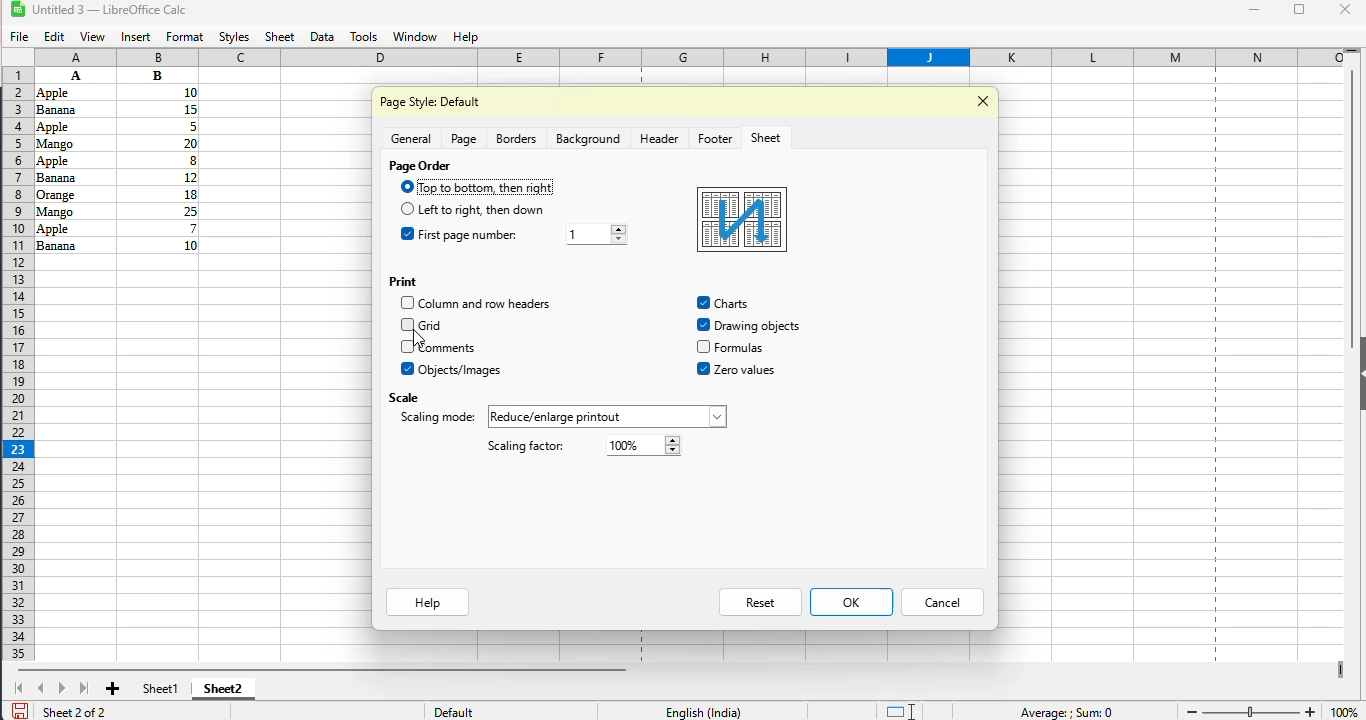 The height and width of the screenshot is (720, 1366). I want to click on page, so click(464, 139).